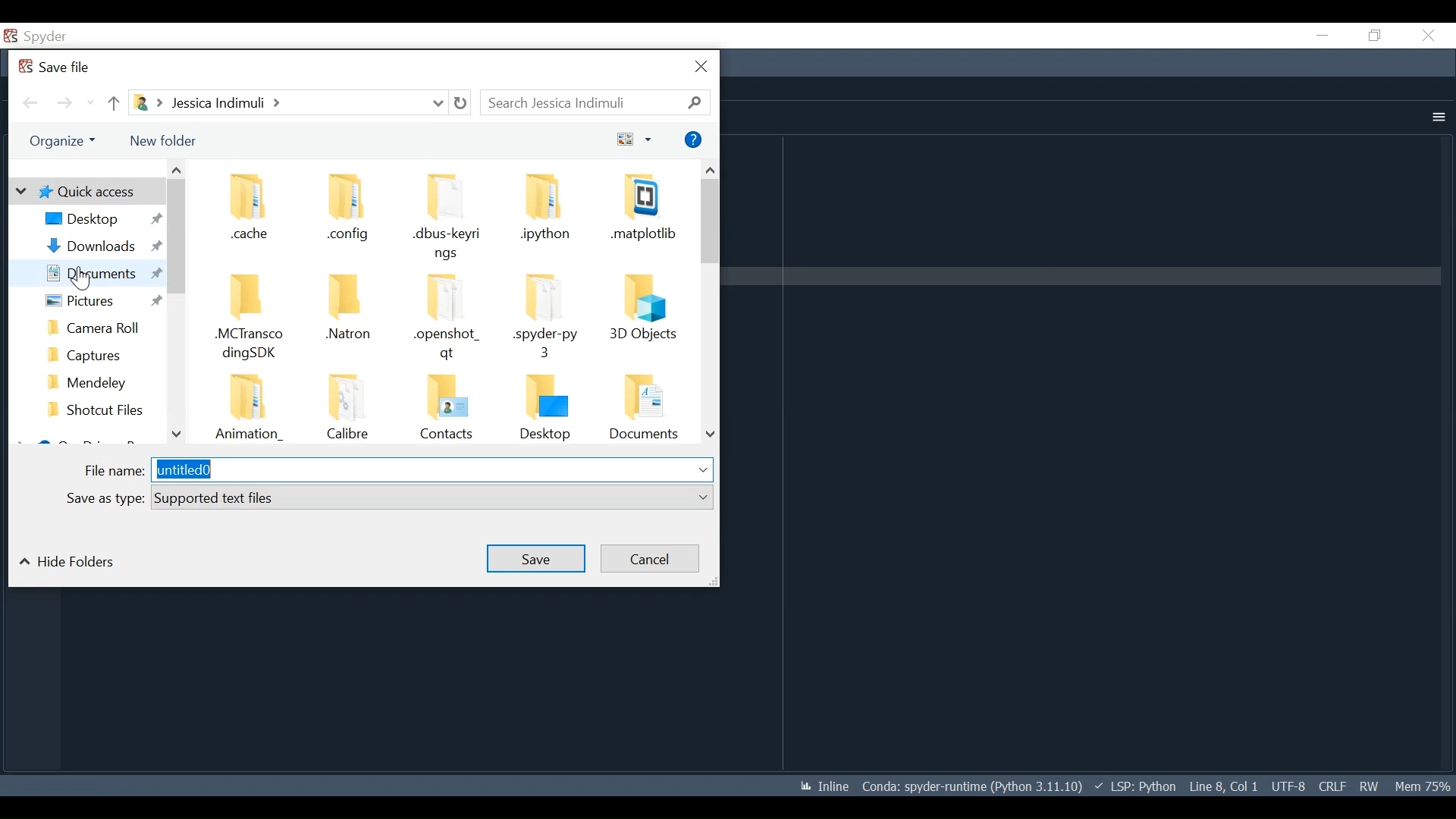 The height and width of the screenshot is (819, 1456). Describe the element at coordinates (644, 409) in the screenshot. I see `Folder` at that location.